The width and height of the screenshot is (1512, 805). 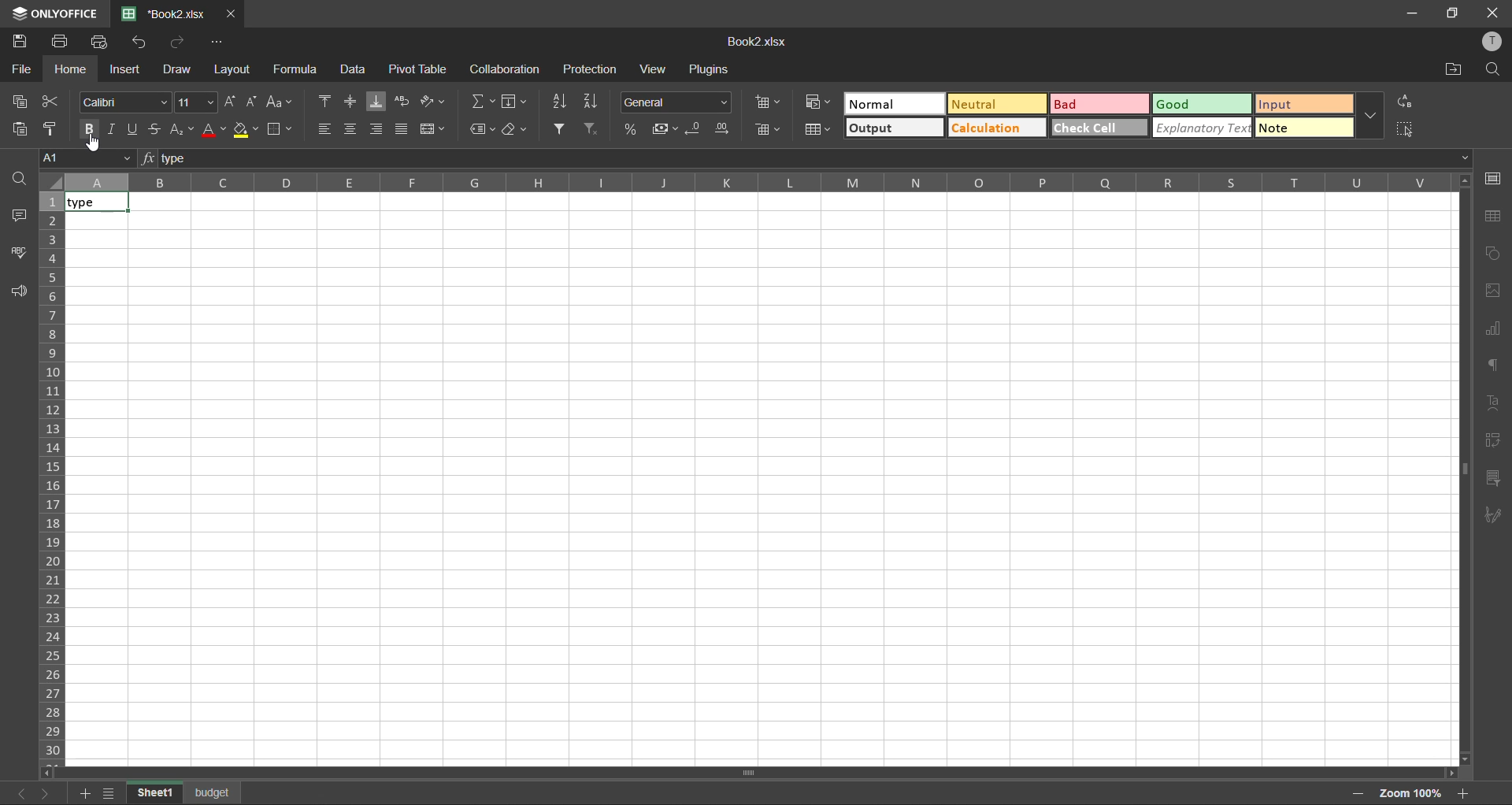 What do you see at coordinates (184, 794) in the screenshot?
I see `sheet names` at bounding box center [184, 794].